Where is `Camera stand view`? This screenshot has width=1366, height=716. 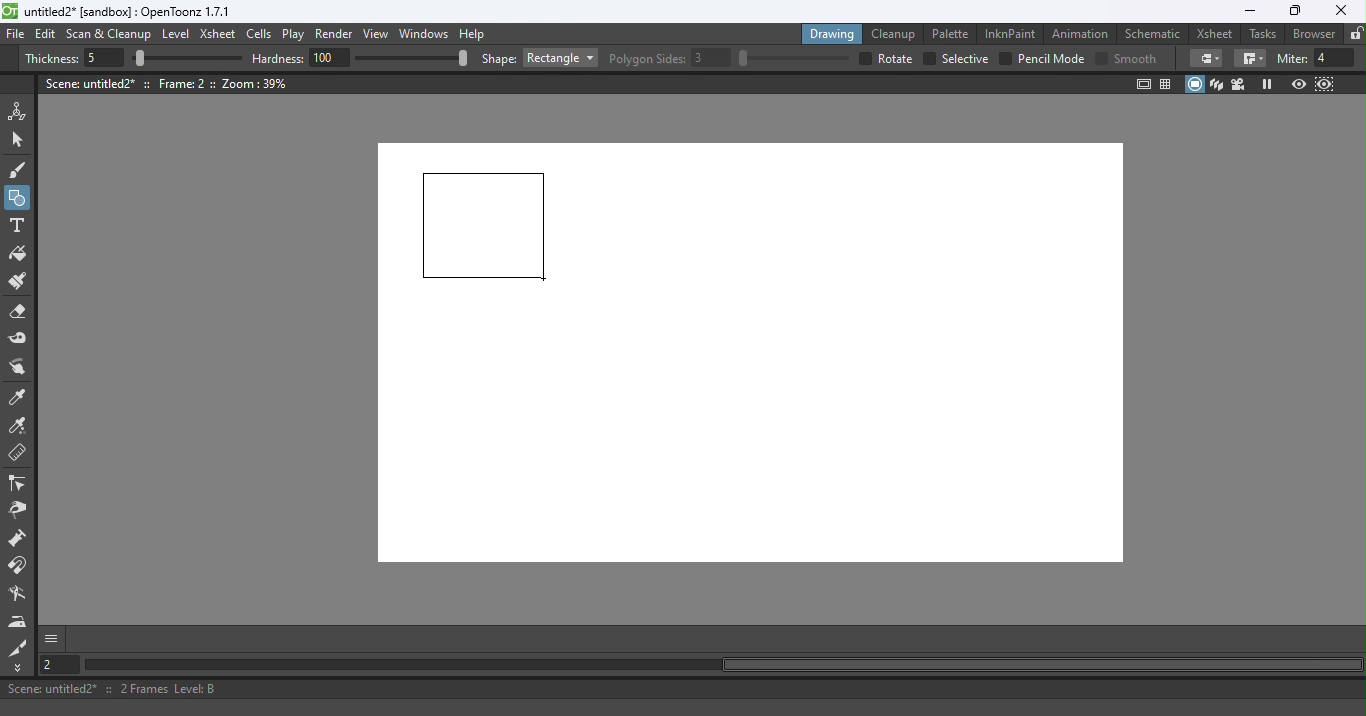 Camera stand view is located at coordinates (1196, 84).